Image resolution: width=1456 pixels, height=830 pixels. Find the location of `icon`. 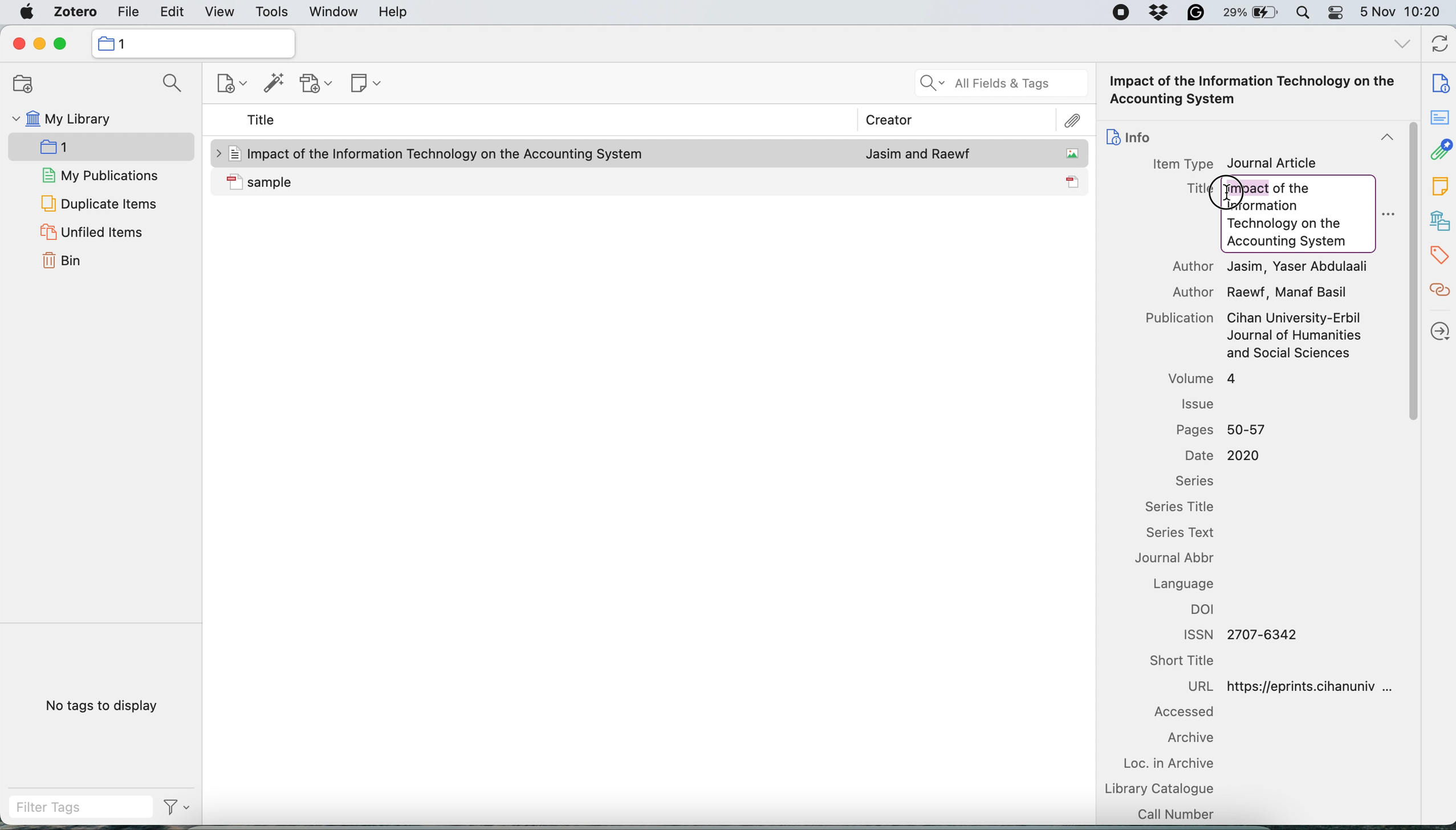

icon is located at coordinates (1073, 153).